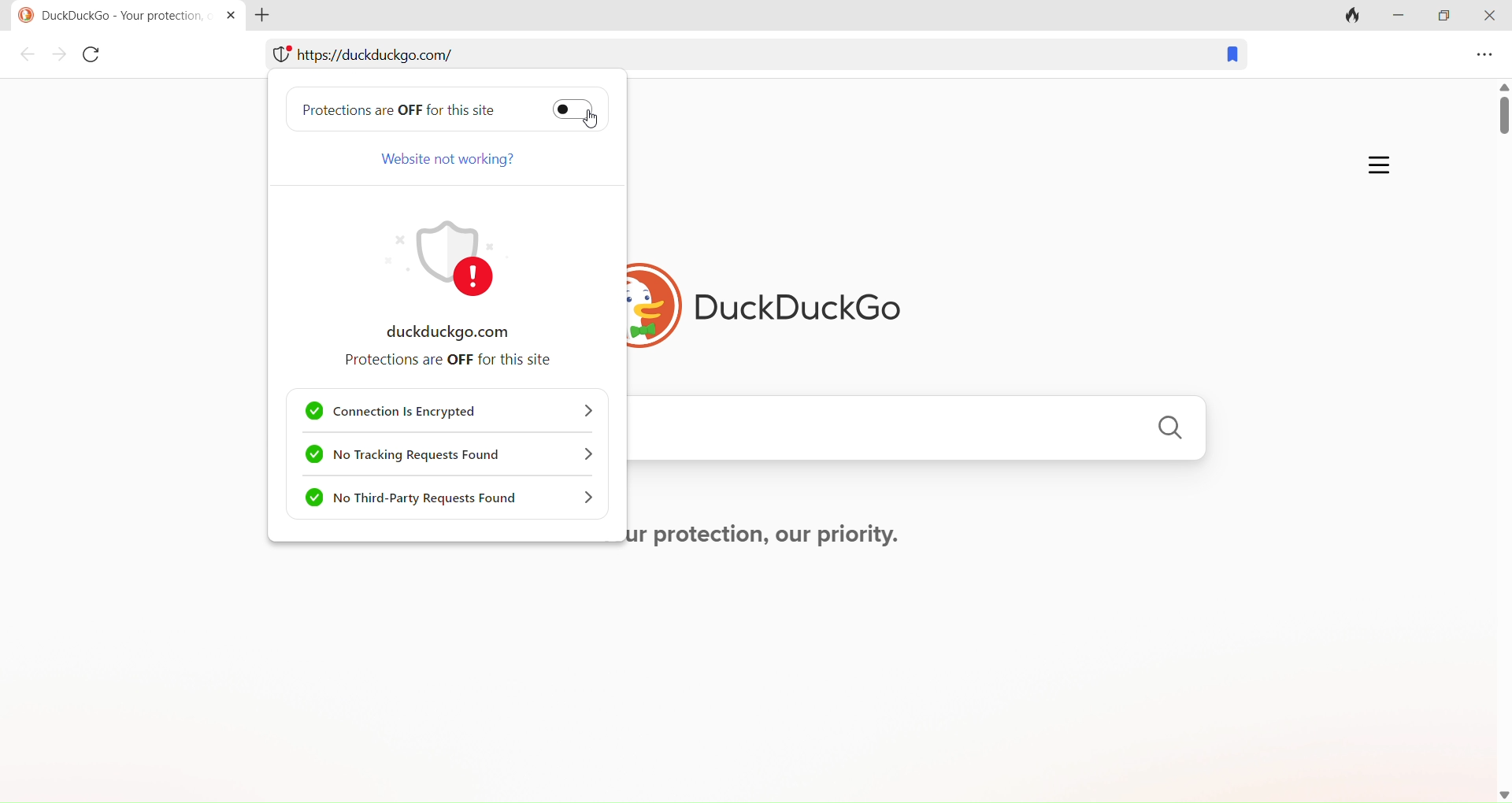 Image resolution: width=1512 pixels, height=803 pixels. I want to click on Your protection, our priority, so click(807, 535).